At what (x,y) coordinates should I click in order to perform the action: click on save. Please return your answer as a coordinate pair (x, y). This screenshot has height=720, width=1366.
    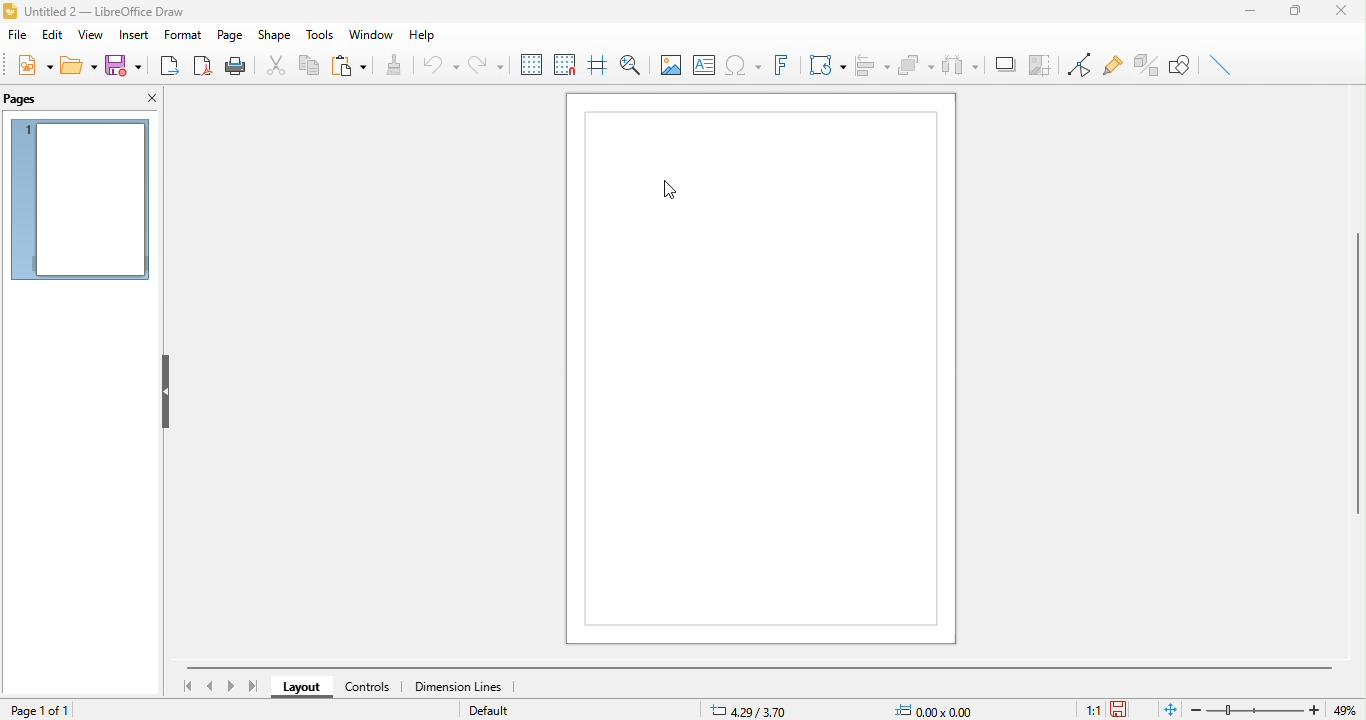
    Looking at the image, I should click on (126, 68).